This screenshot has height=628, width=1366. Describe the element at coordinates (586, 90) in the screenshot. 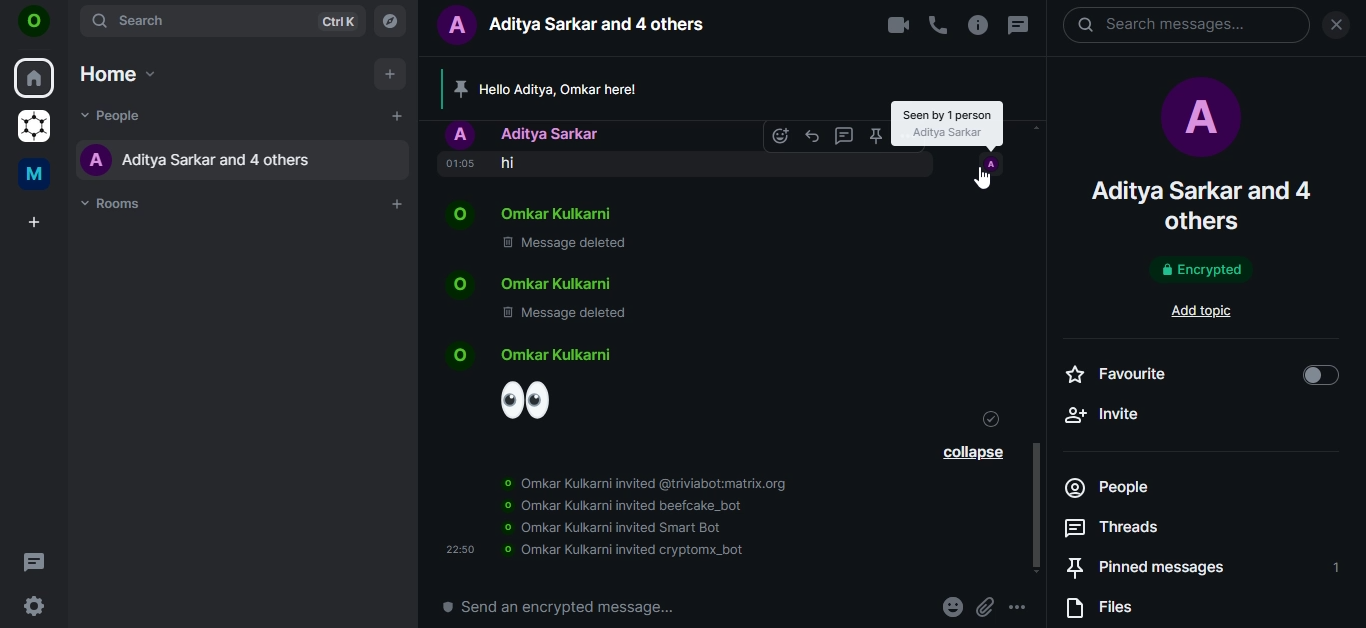

I see ` Hello Aditya, Omkar here!` at that location.